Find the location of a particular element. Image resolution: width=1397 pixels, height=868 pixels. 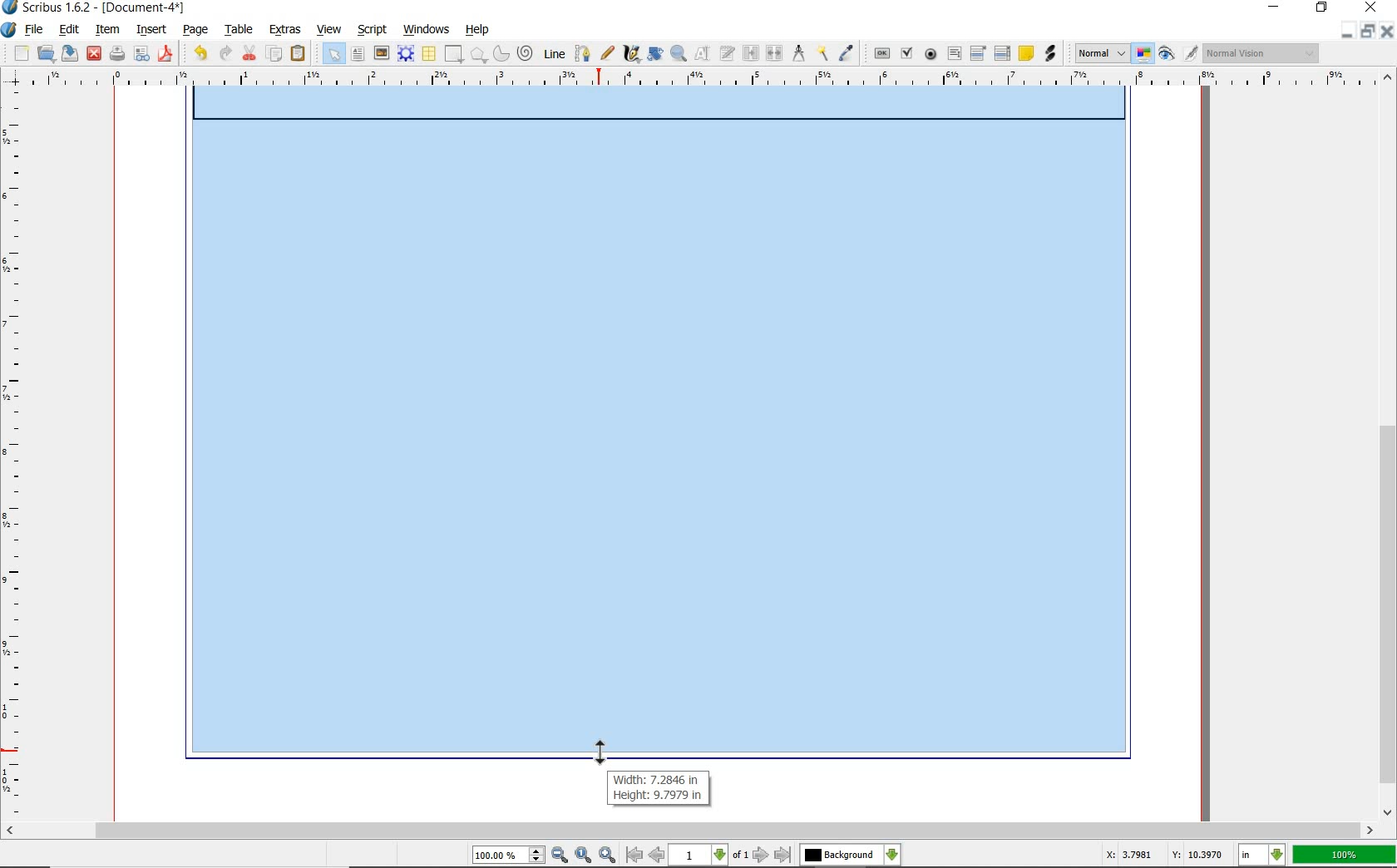

copy item properties is located at coordinates (822, 53).